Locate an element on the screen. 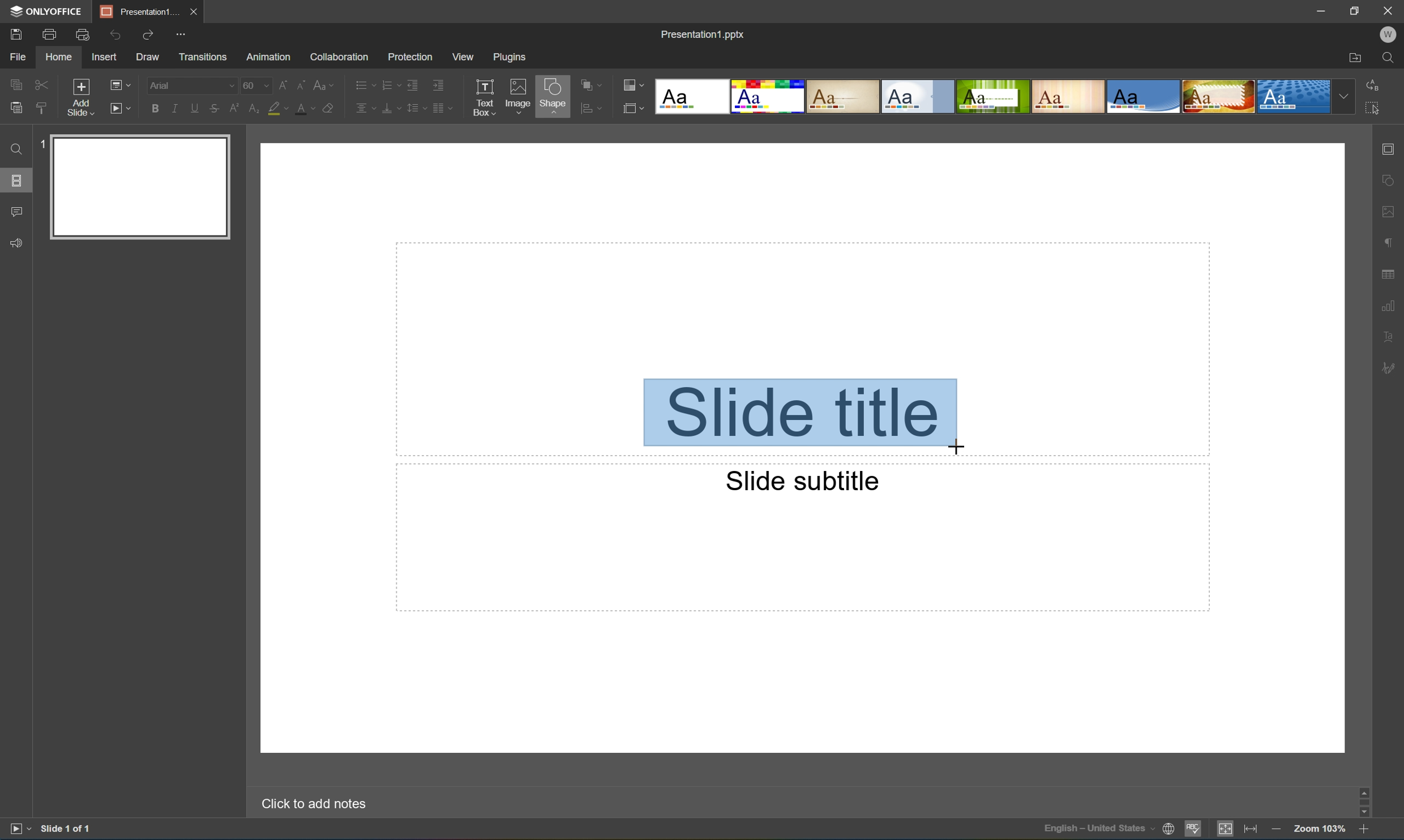 The height and width of the screenshot is (840, 1404). Change slide layout is located at coordinates (121, 84).